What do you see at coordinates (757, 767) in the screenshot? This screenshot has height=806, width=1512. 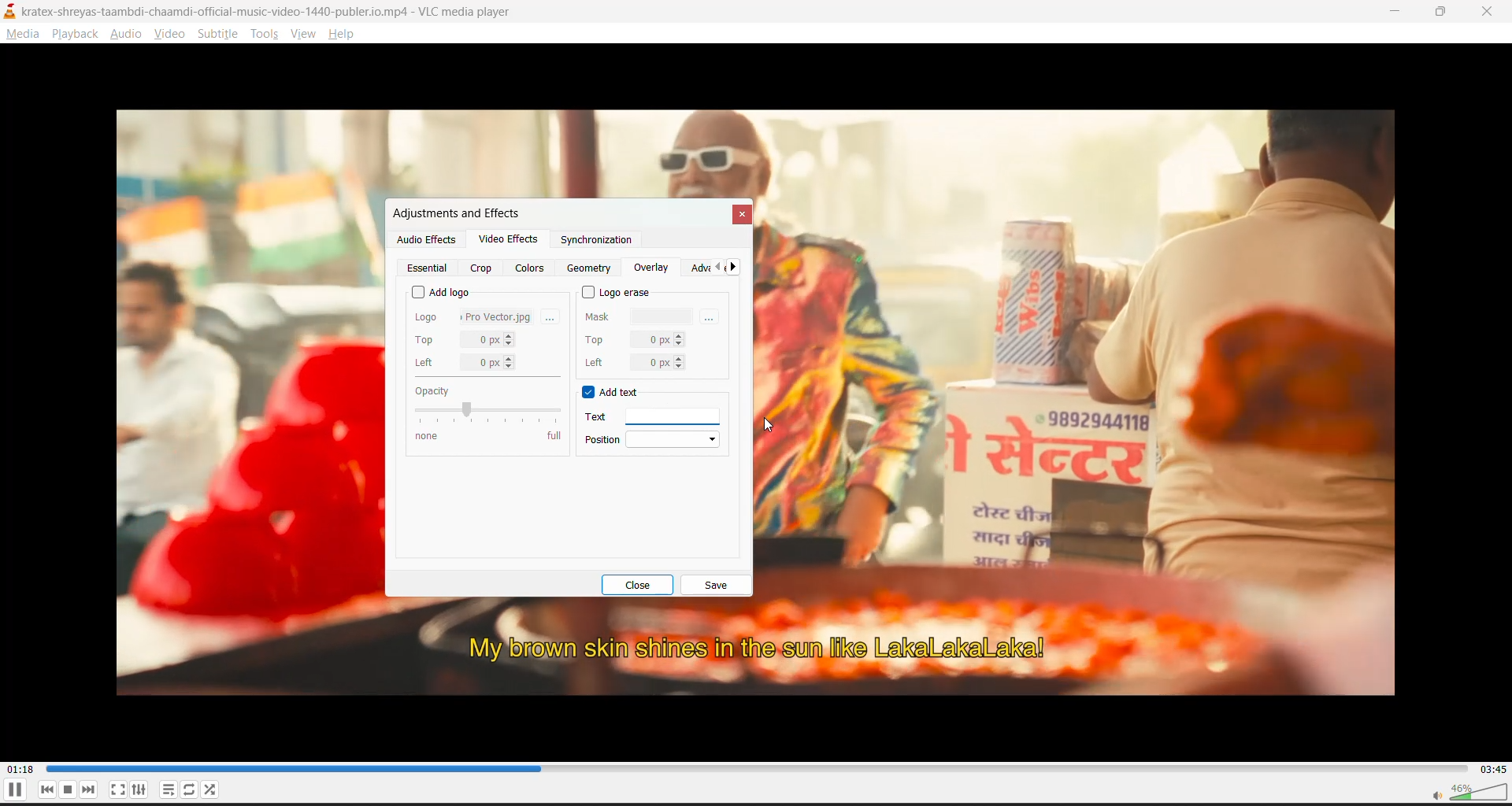 I see `track slider` at bounding box center [757, 767].